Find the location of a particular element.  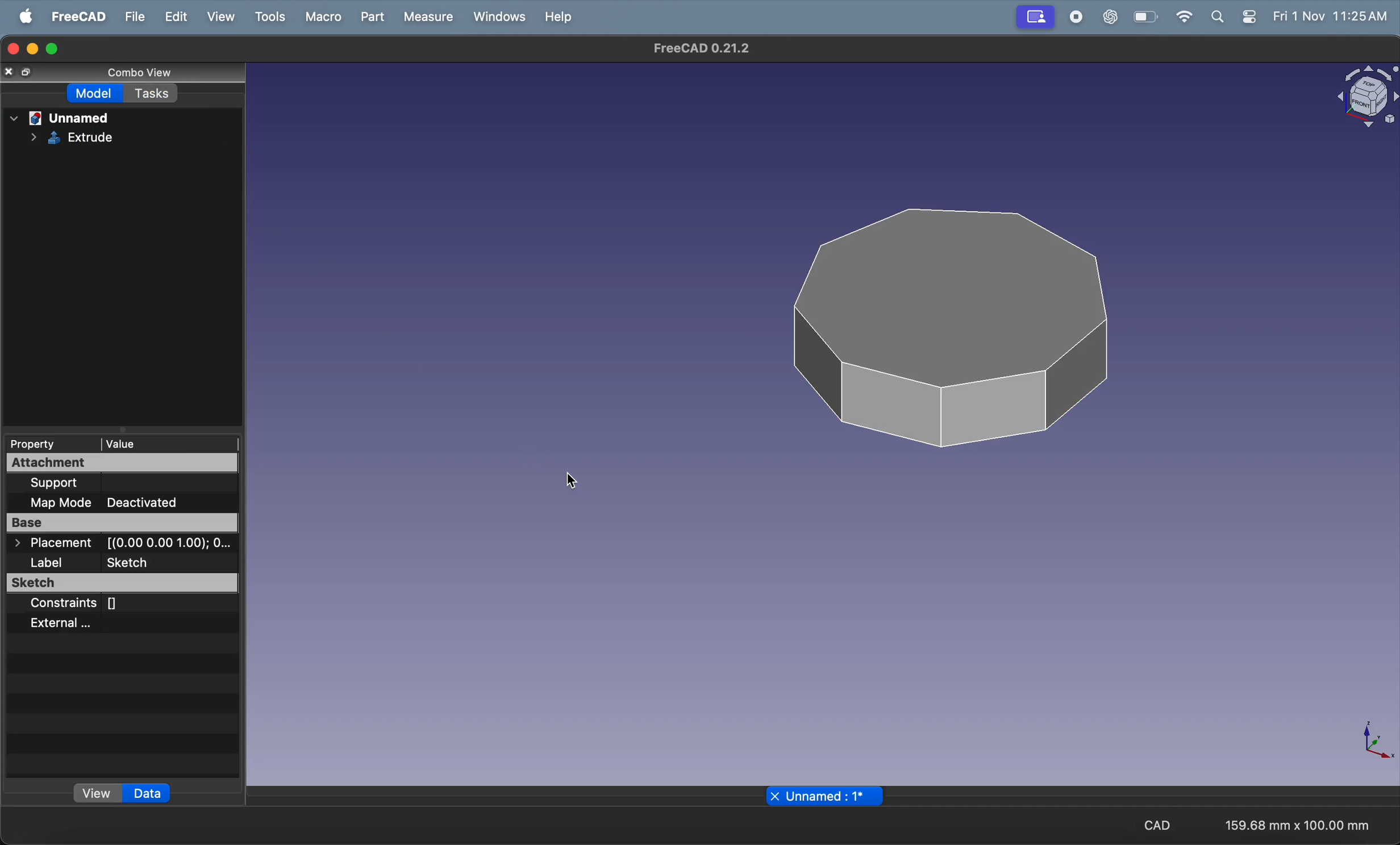

Model is located at coordinates (97, 94).